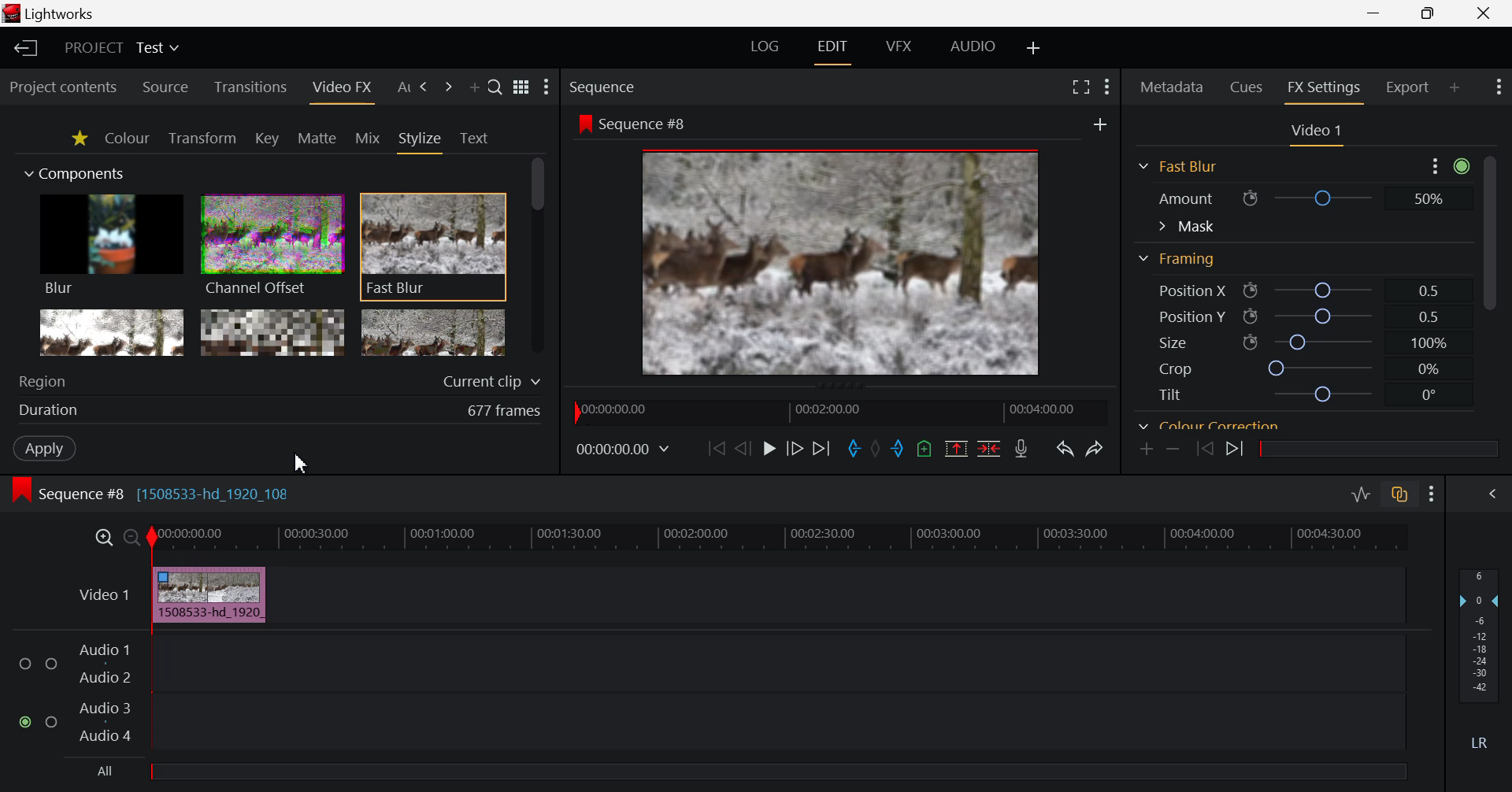 The width and height of the screenshot is (1512, 792). What do you see at coordinates (398, 87) in the screenshot?
I see `Previous Panel` at bounding box center [398, 87].